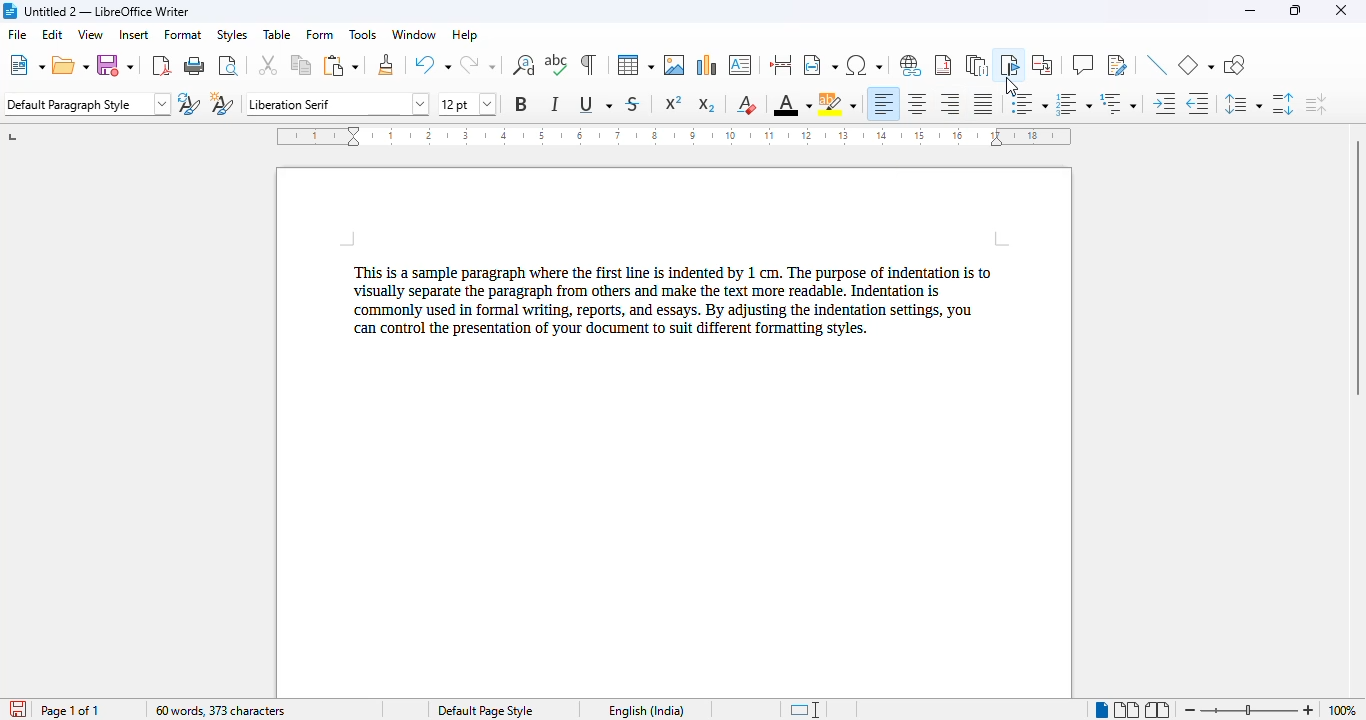 The width and height of the screenshot is (1366, 720). Describe the element at coordinates (674, 65) in the screenshot. I see `insert image` at that location.